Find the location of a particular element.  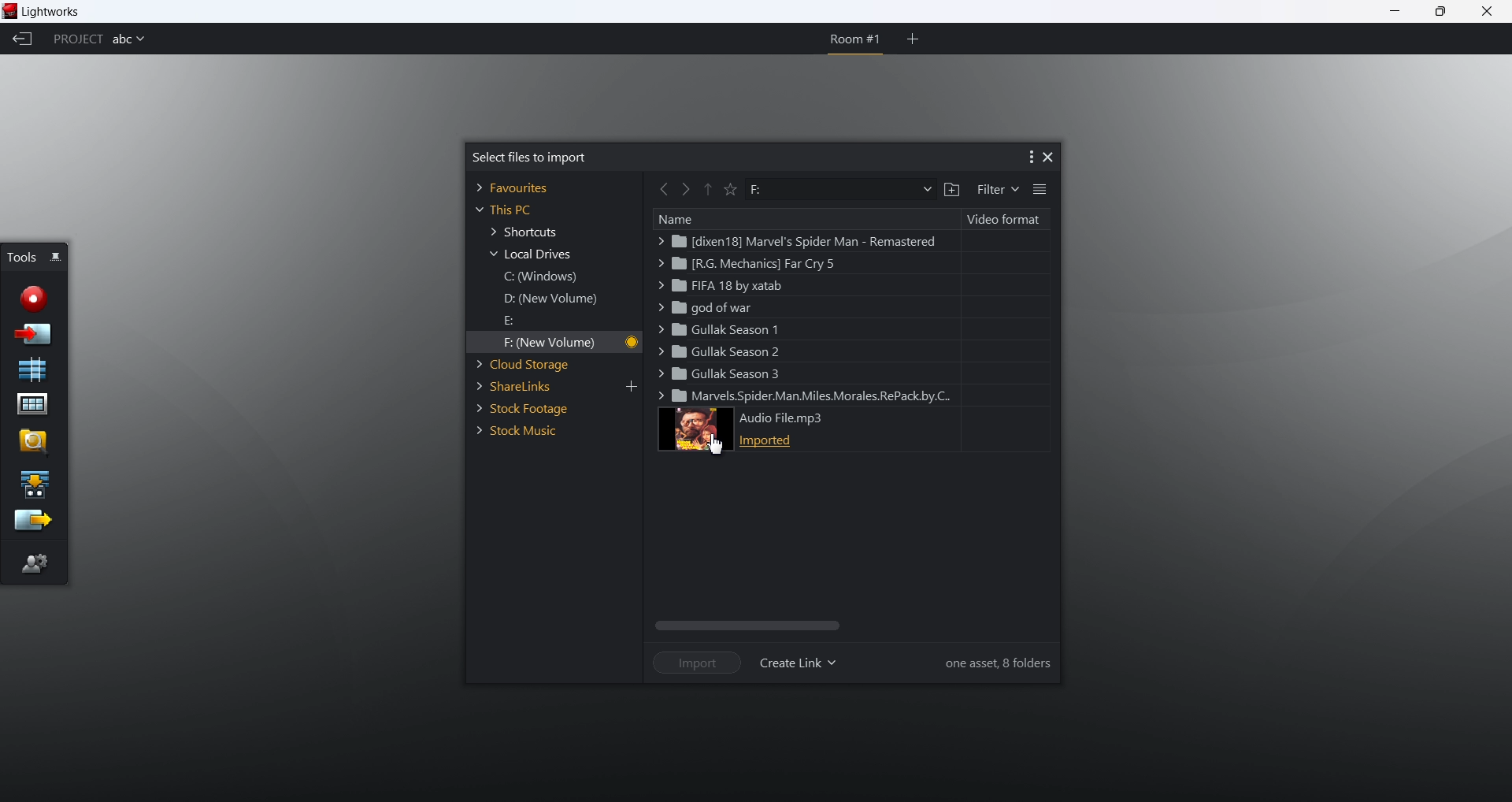

forward is located at coordinates (682, 188).